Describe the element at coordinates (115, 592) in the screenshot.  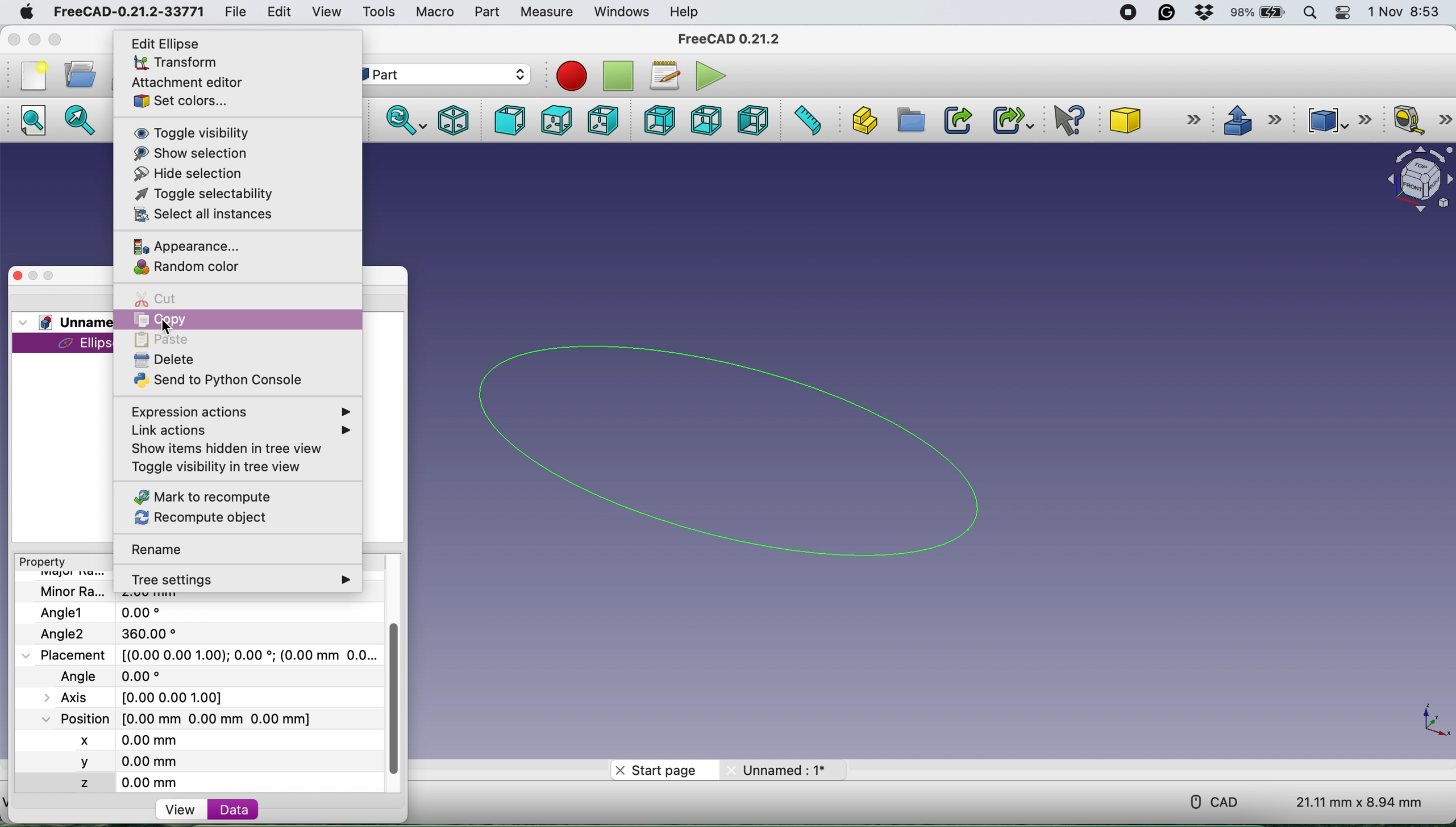
I see `file name` at that location.